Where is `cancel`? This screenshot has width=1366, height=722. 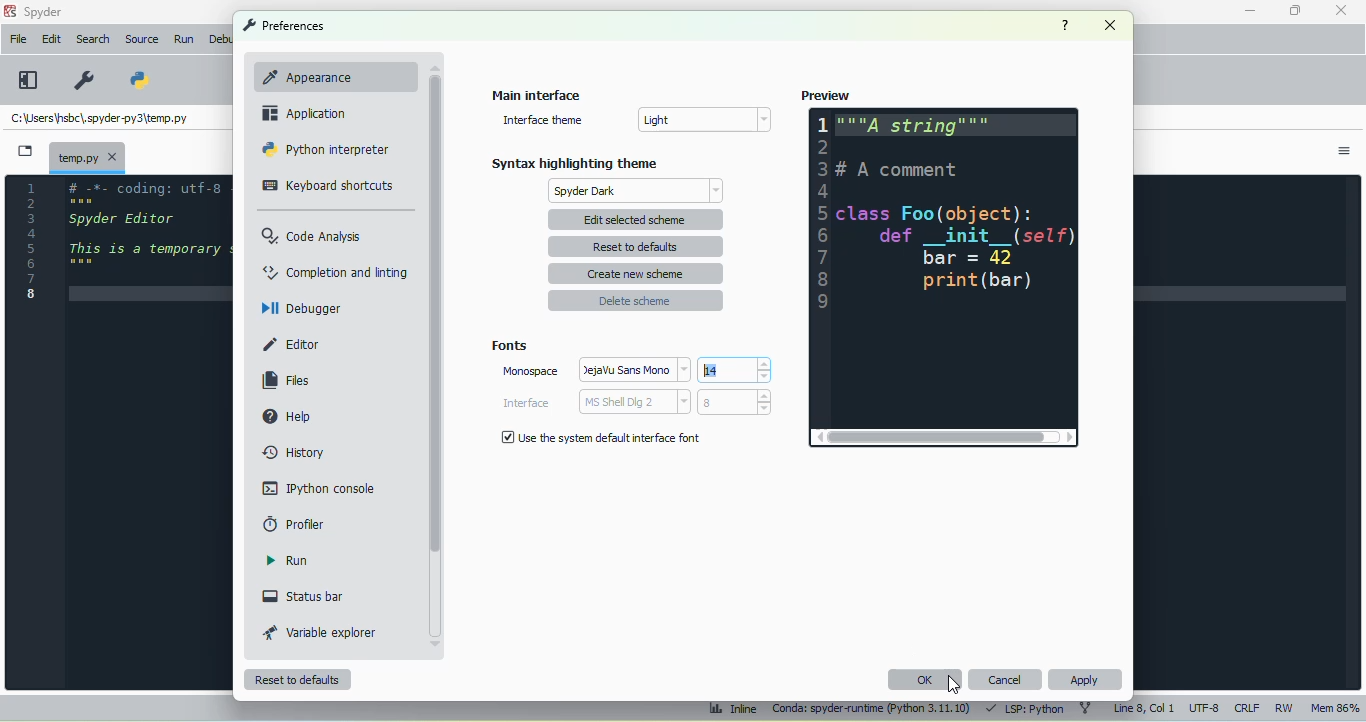
cancel is located at coordinates (1006, 679).